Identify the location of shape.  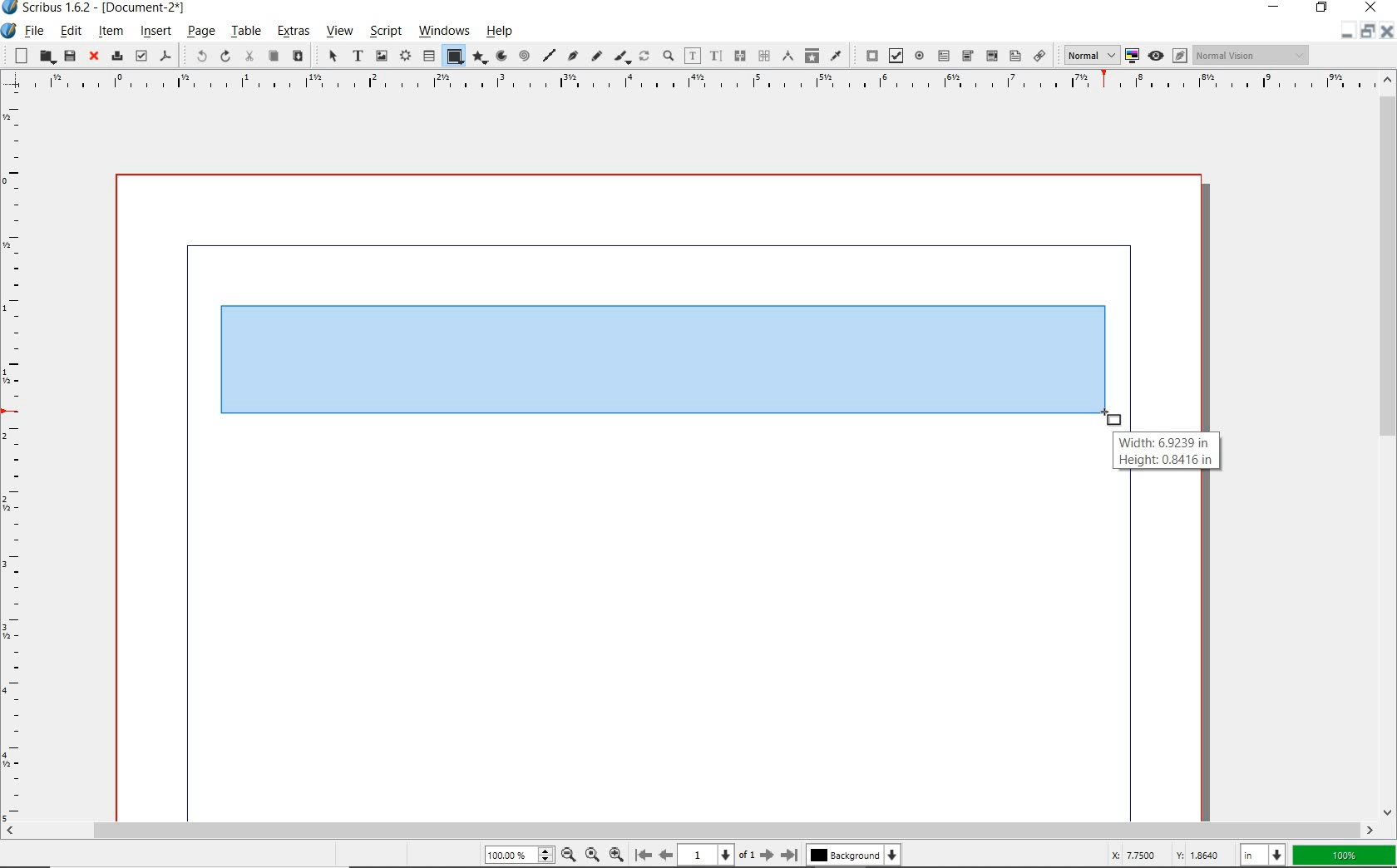
(454, 57).